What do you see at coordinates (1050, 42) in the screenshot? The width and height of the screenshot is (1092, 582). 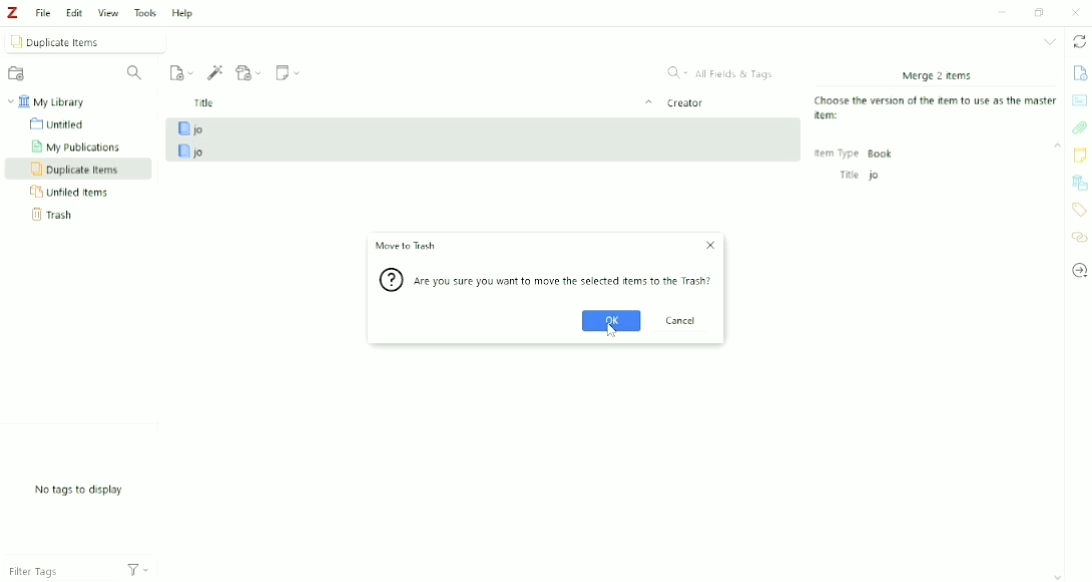 I see `List all tabs` at bounding box center [1050, 42].